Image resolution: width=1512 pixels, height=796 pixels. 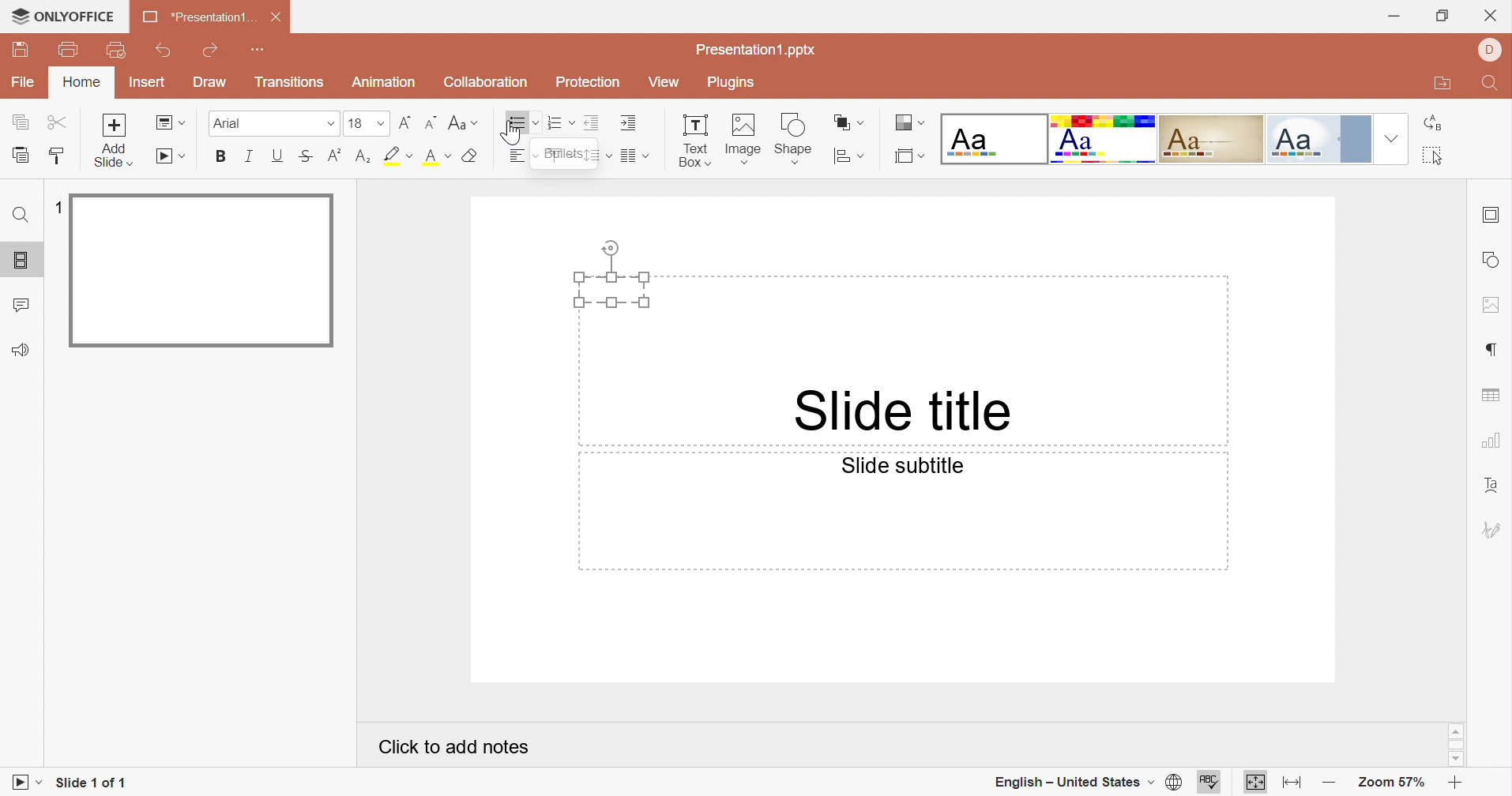 I want to click on Slide 1 of 1, so click(x=93, y=780).